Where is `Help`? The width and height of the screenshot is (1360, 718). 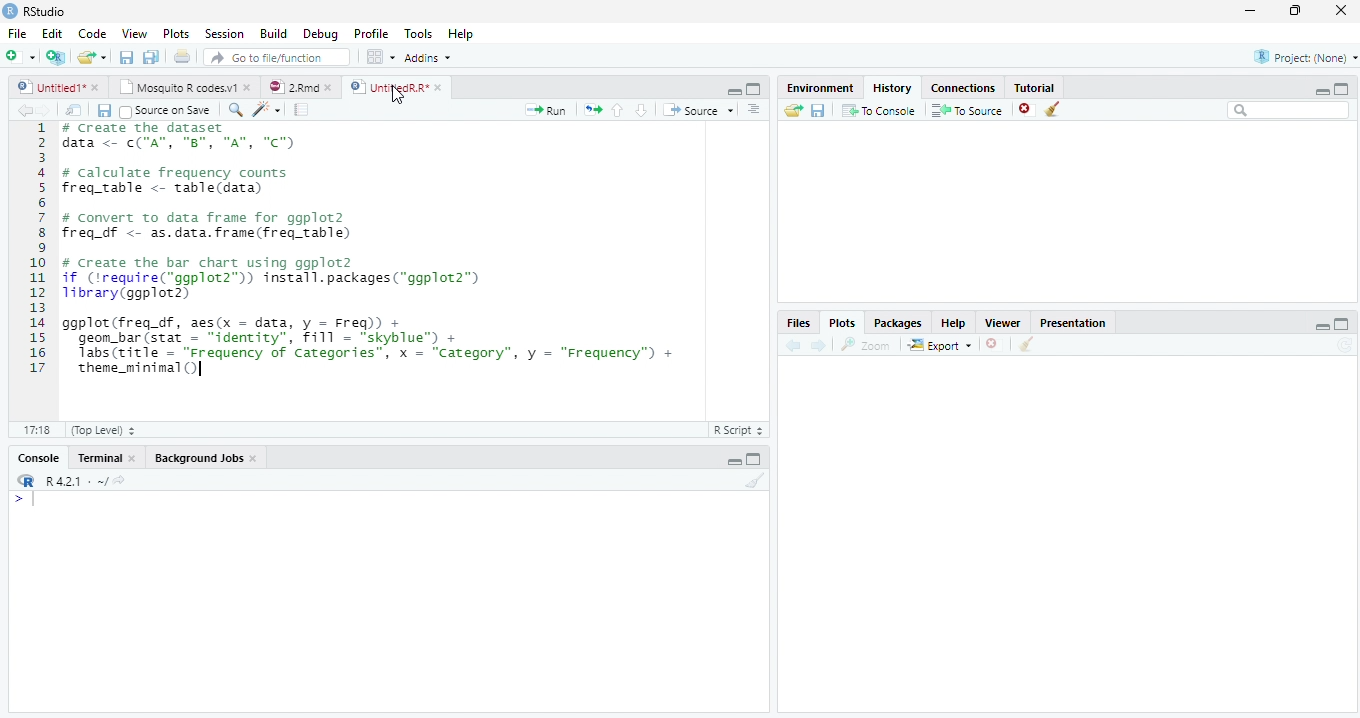
Help is located at coordinates (462, 33).